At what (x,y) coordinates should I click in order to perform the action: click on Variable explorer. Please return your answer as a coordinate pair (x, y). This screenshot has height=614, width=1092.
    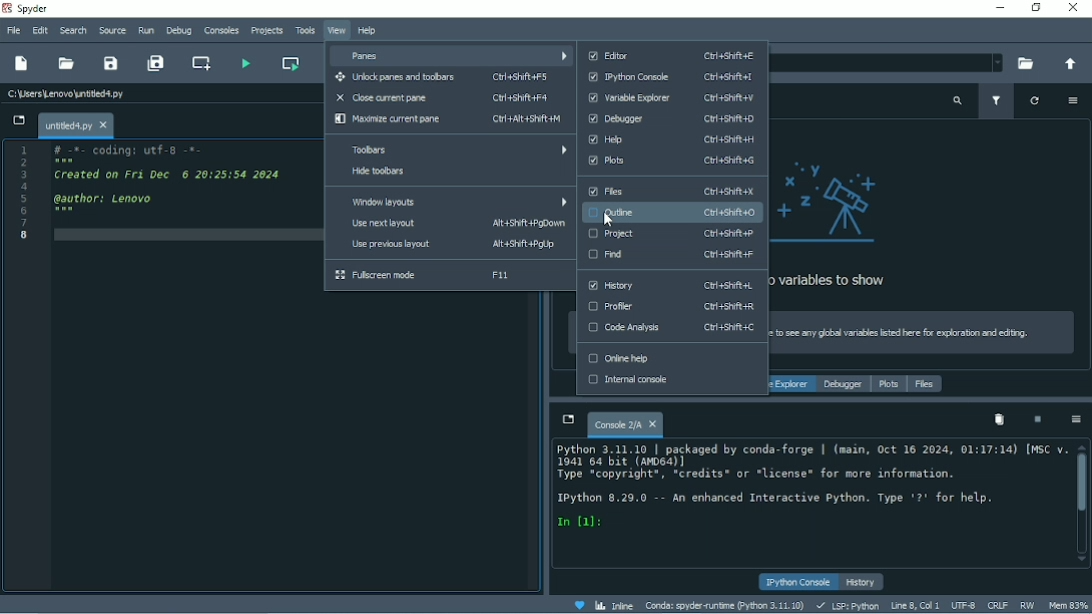
    Looking at the image, I should click on (793, 384).